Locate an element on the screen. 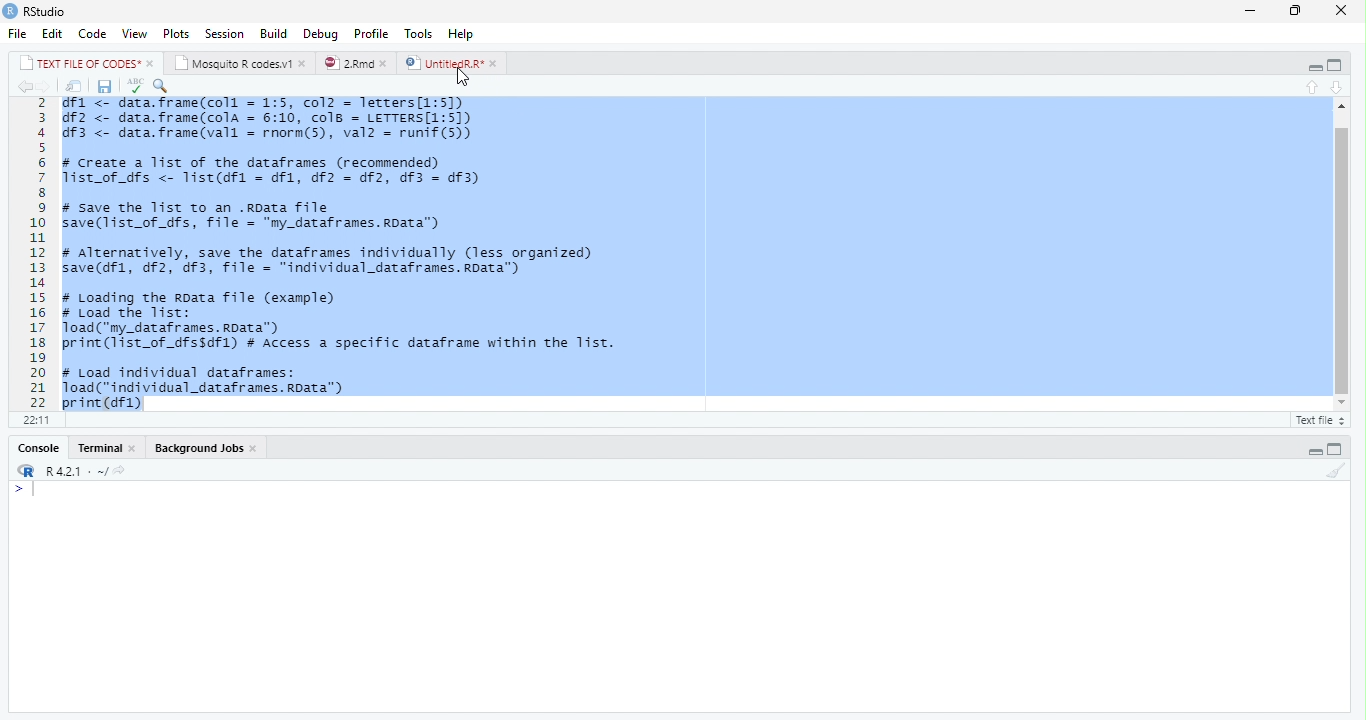 This screenshot has width=1366, height=720. Terminal is located at coordinates (108, 448).